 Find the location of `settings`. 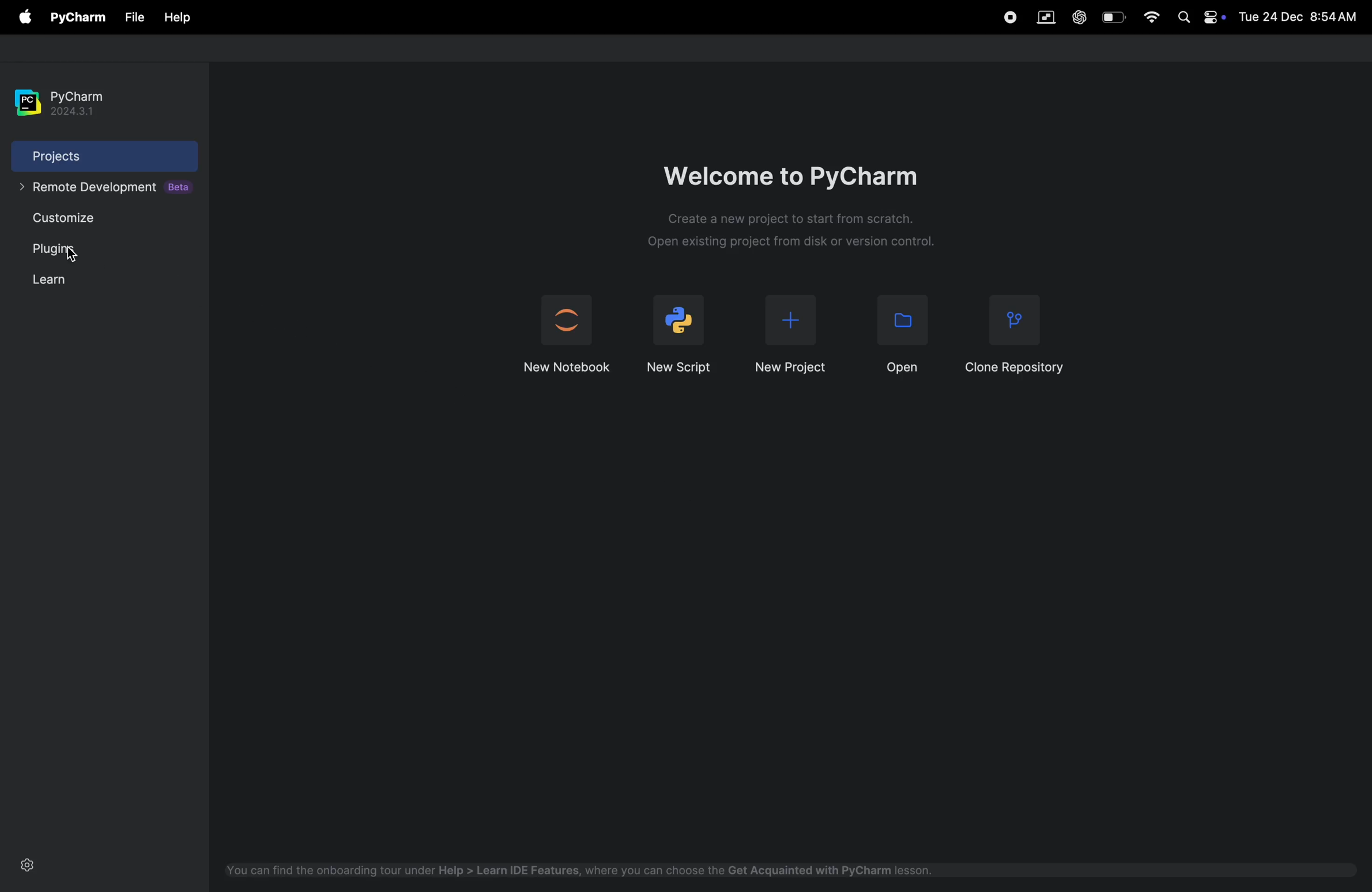

settings is located at coordinates (31, 864).